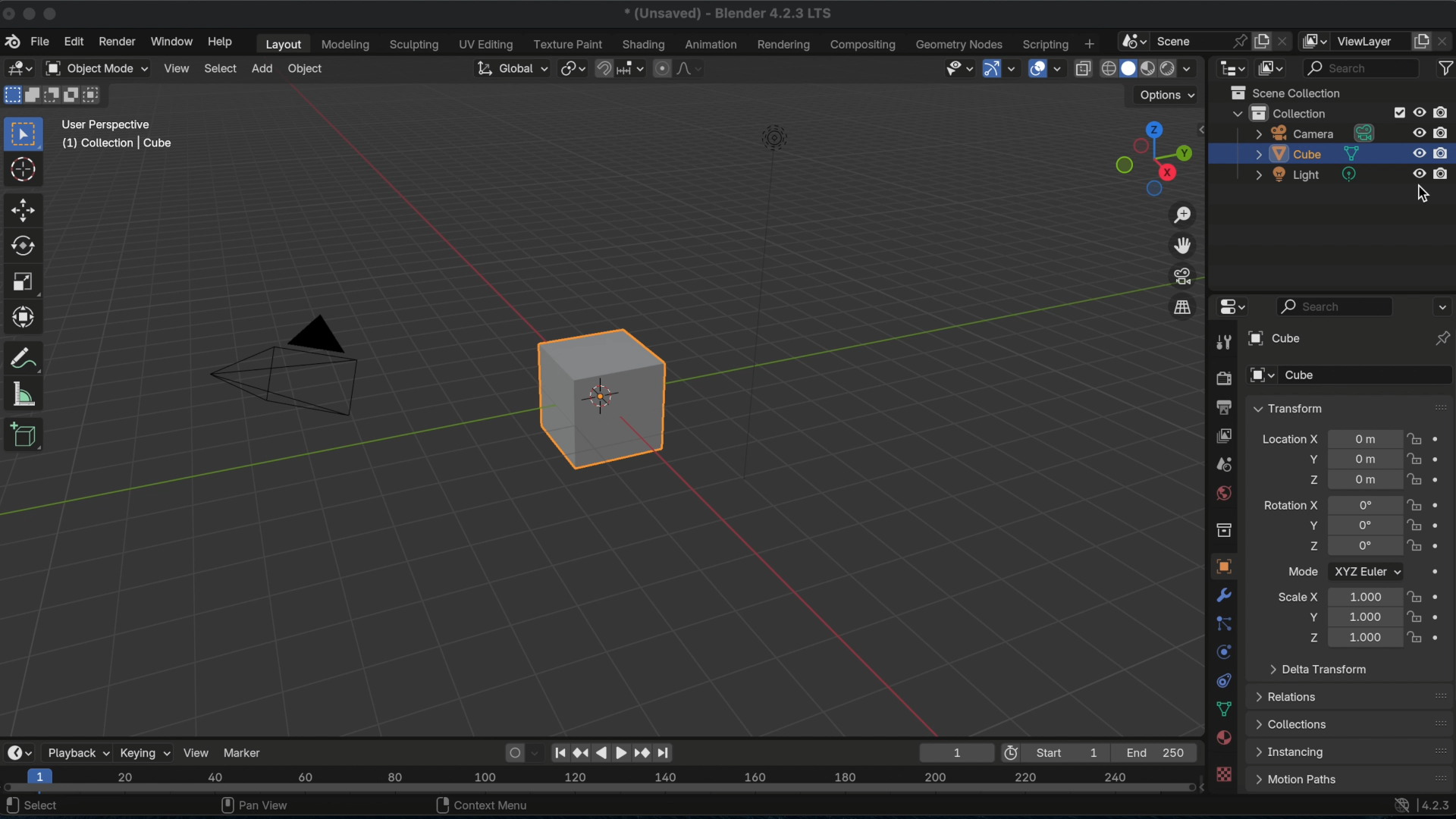 This screenshot has width=1456, height=819. Describe the element at coordinates (1367, 571) in the screenshot. I see `XYZ Euler dropdown` at that location.